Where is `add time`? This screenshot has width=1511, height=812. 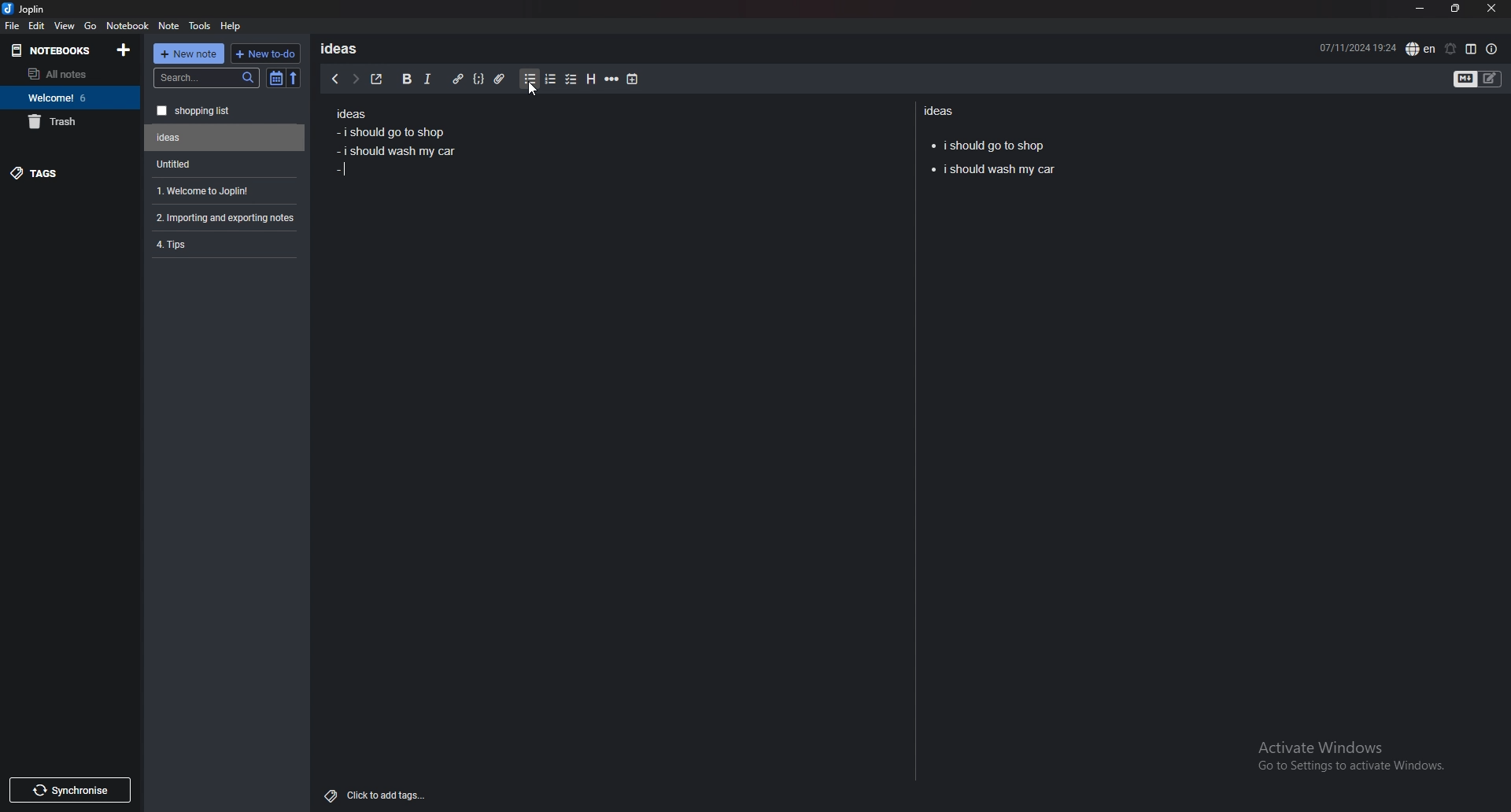
add time is located at coordinates (634, 79).